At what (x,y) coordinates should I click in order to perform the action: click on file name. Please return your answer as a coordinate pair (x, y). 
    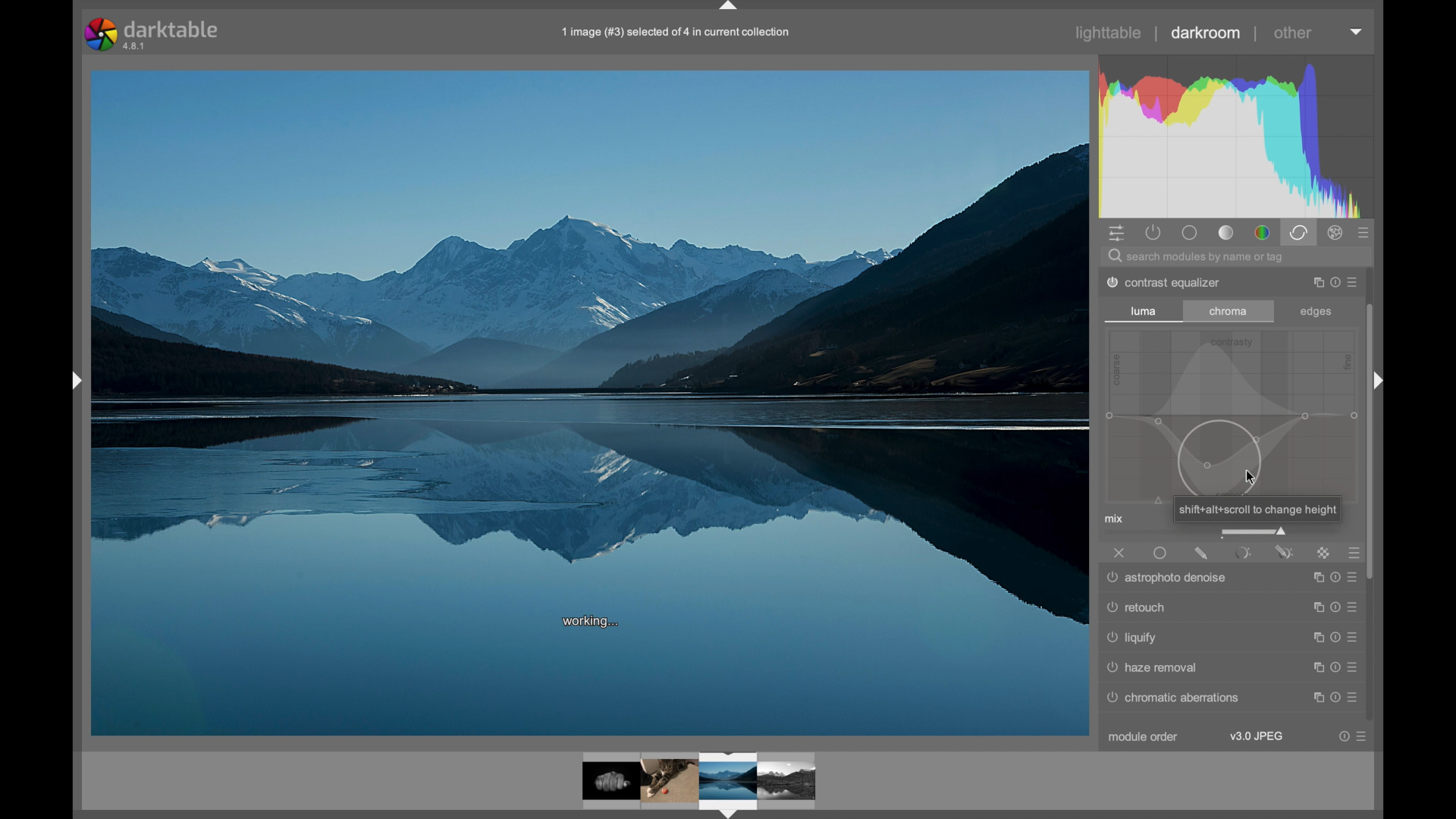
    Looking at the image, I should click on (673, 33).